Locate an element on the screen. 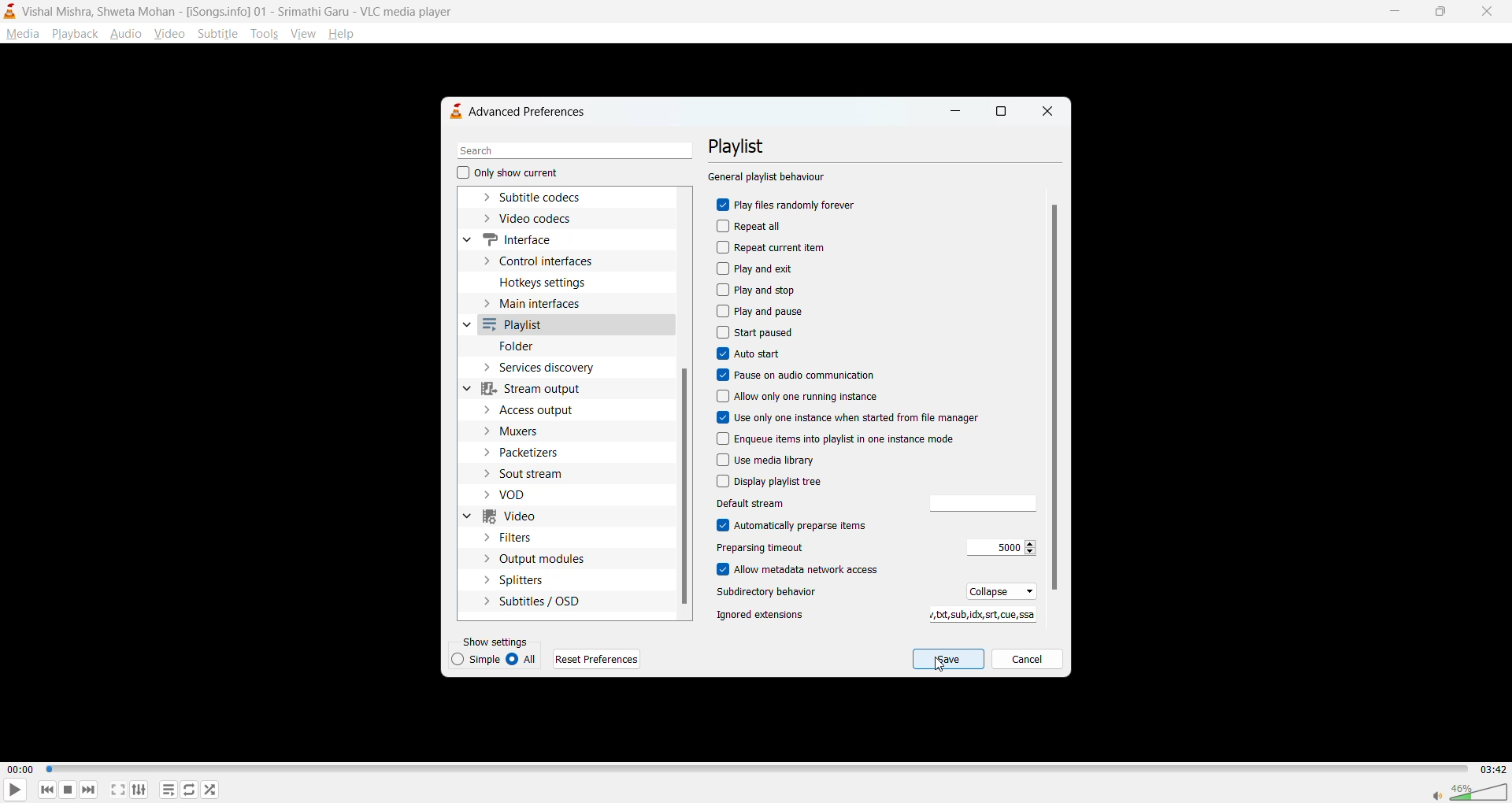 This screenshot has width=1512, height=803. hotkeys settings is located at coordinates (547, 281).